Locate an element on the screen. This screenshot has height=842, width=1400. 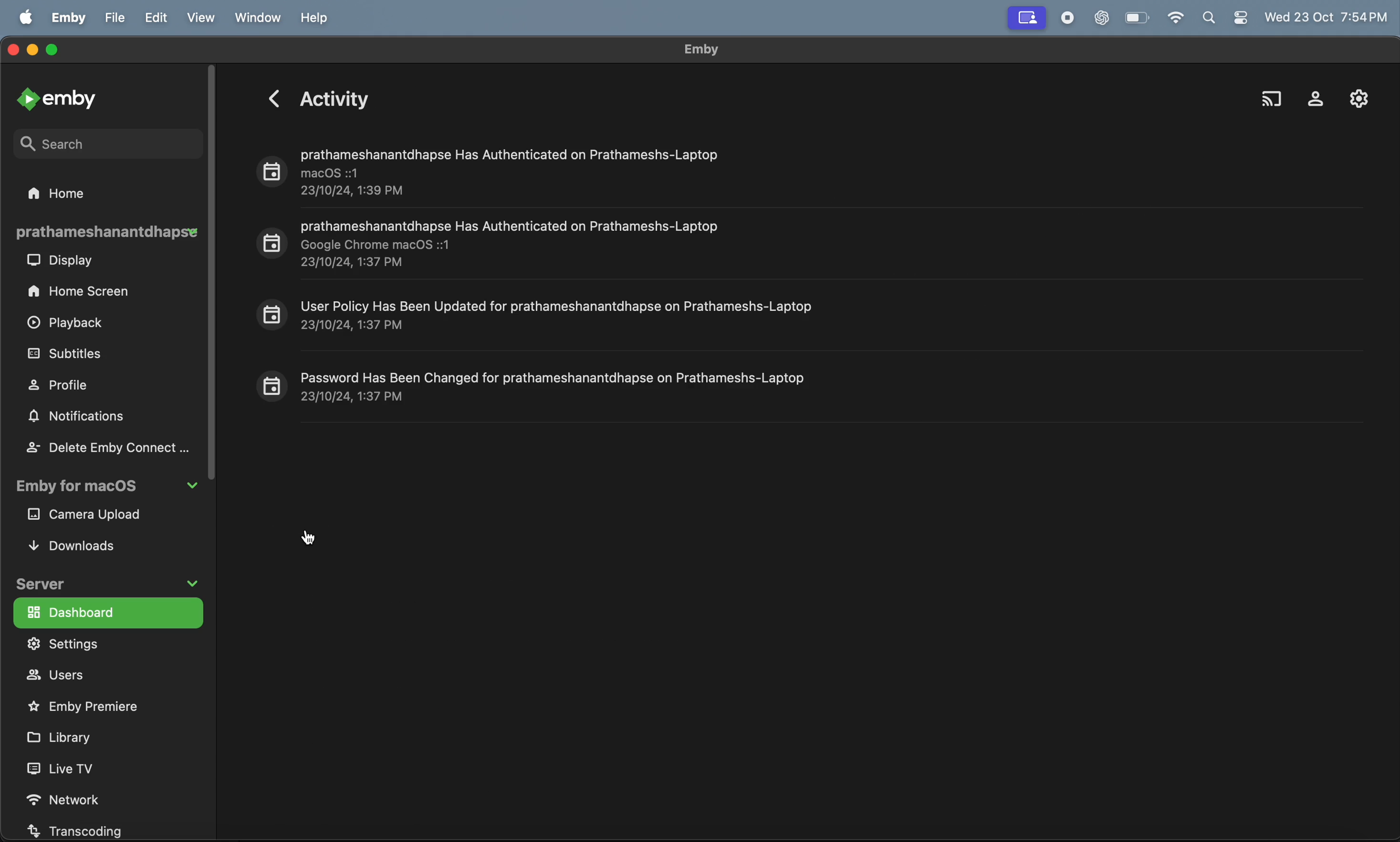
activity is located at coordinates (317, 96).